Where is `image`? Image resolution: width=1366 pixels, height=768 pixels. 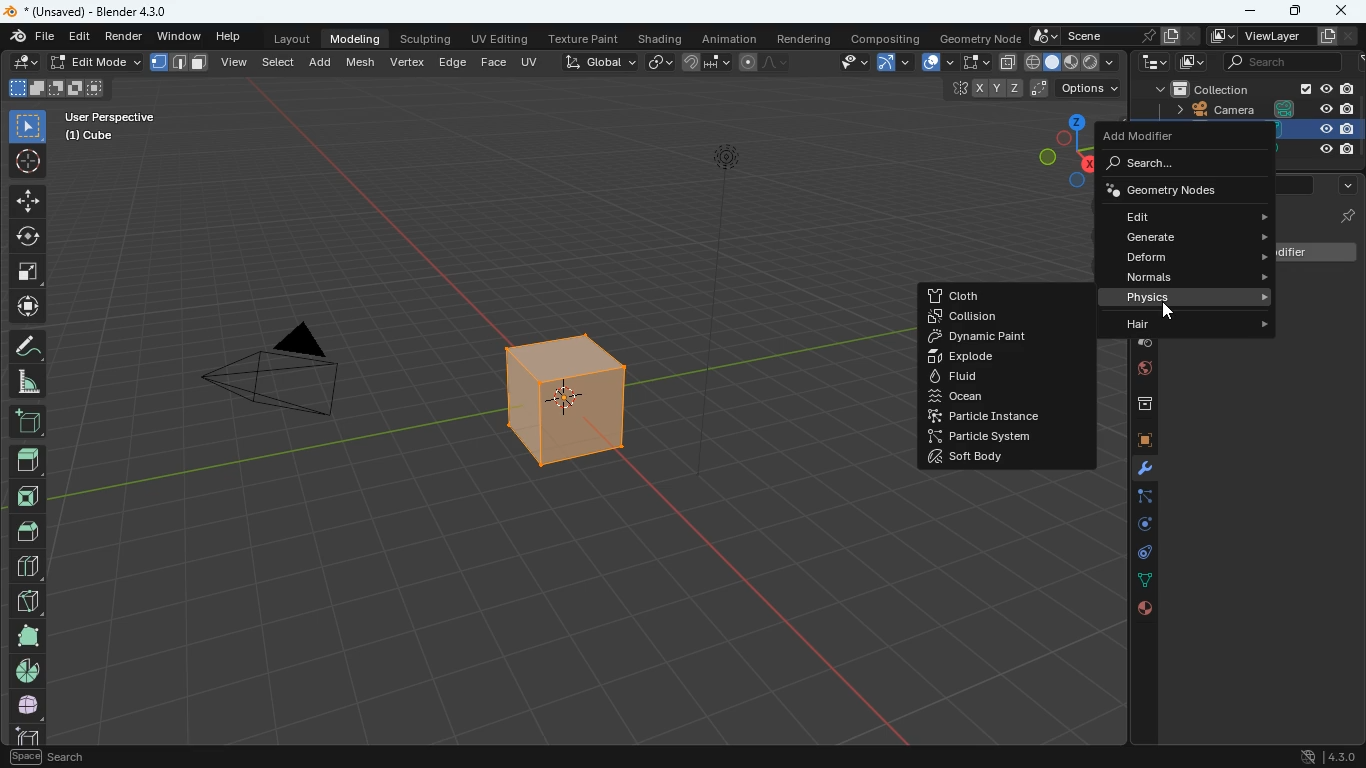
image is located at coordinates (1194, 65).